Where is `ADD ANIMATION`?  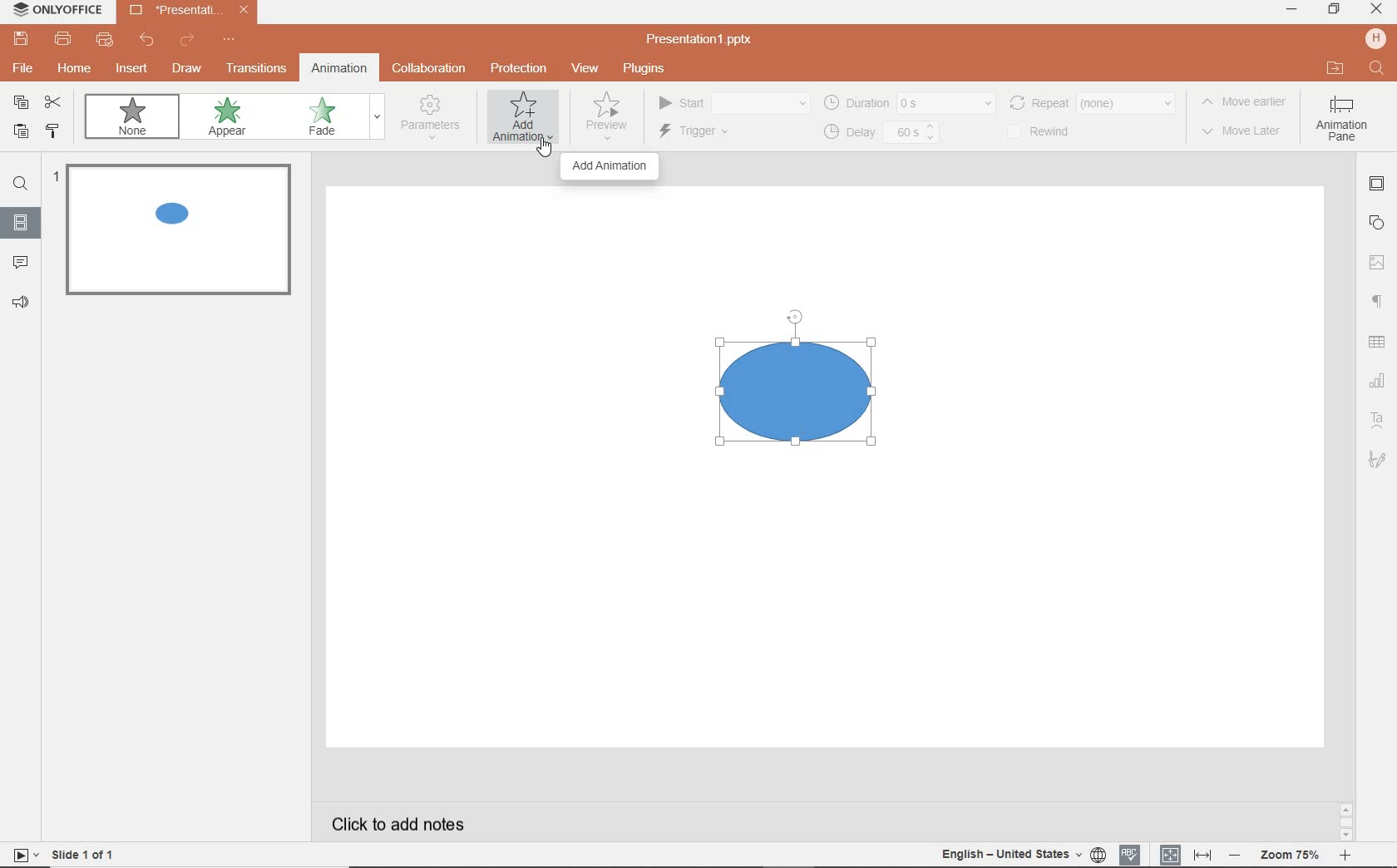 ADD ANIMATION is located at coordinates (610, 166).